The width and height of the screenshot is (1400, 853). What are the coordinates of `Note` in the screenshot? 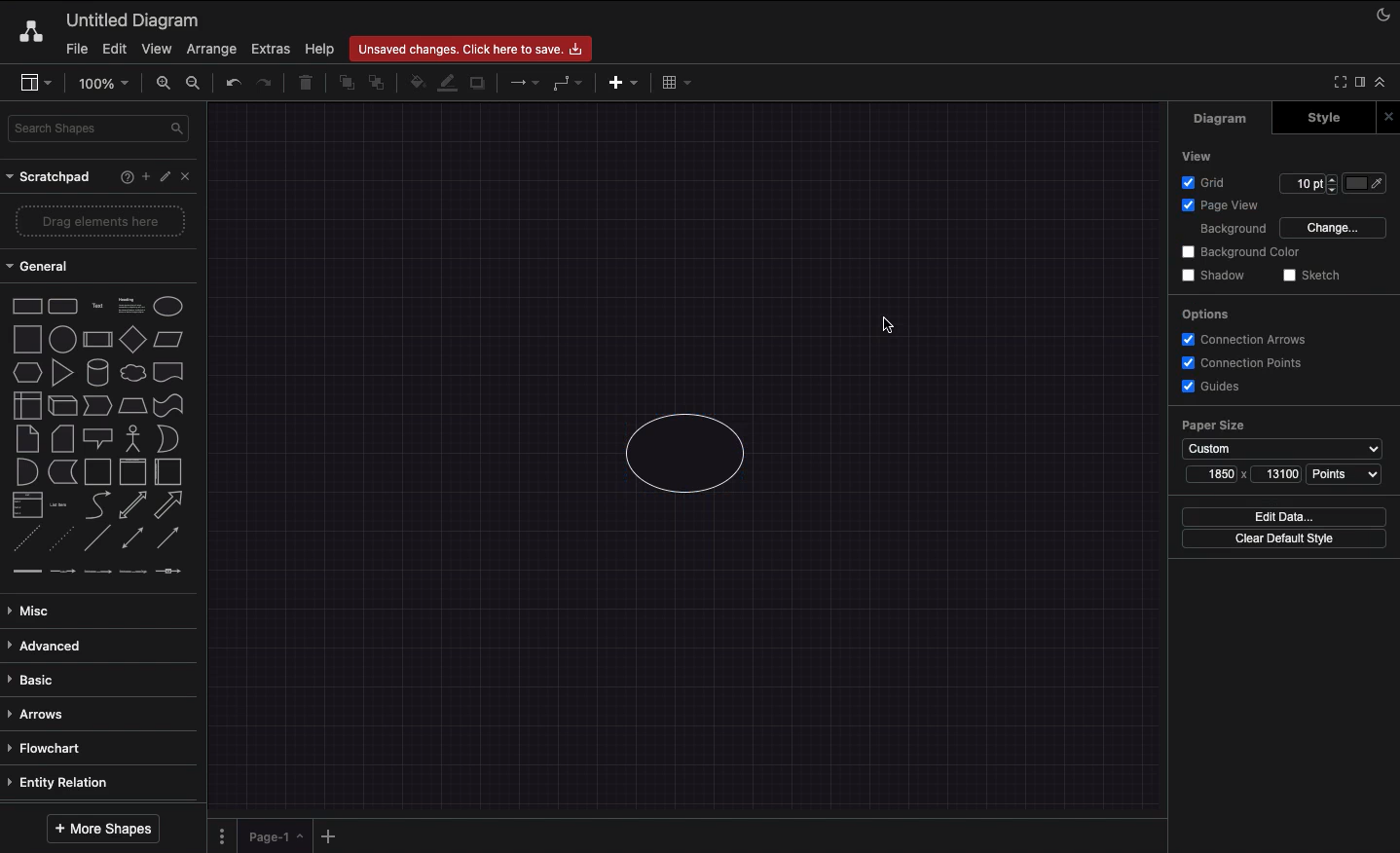 It's located at (25, 439).